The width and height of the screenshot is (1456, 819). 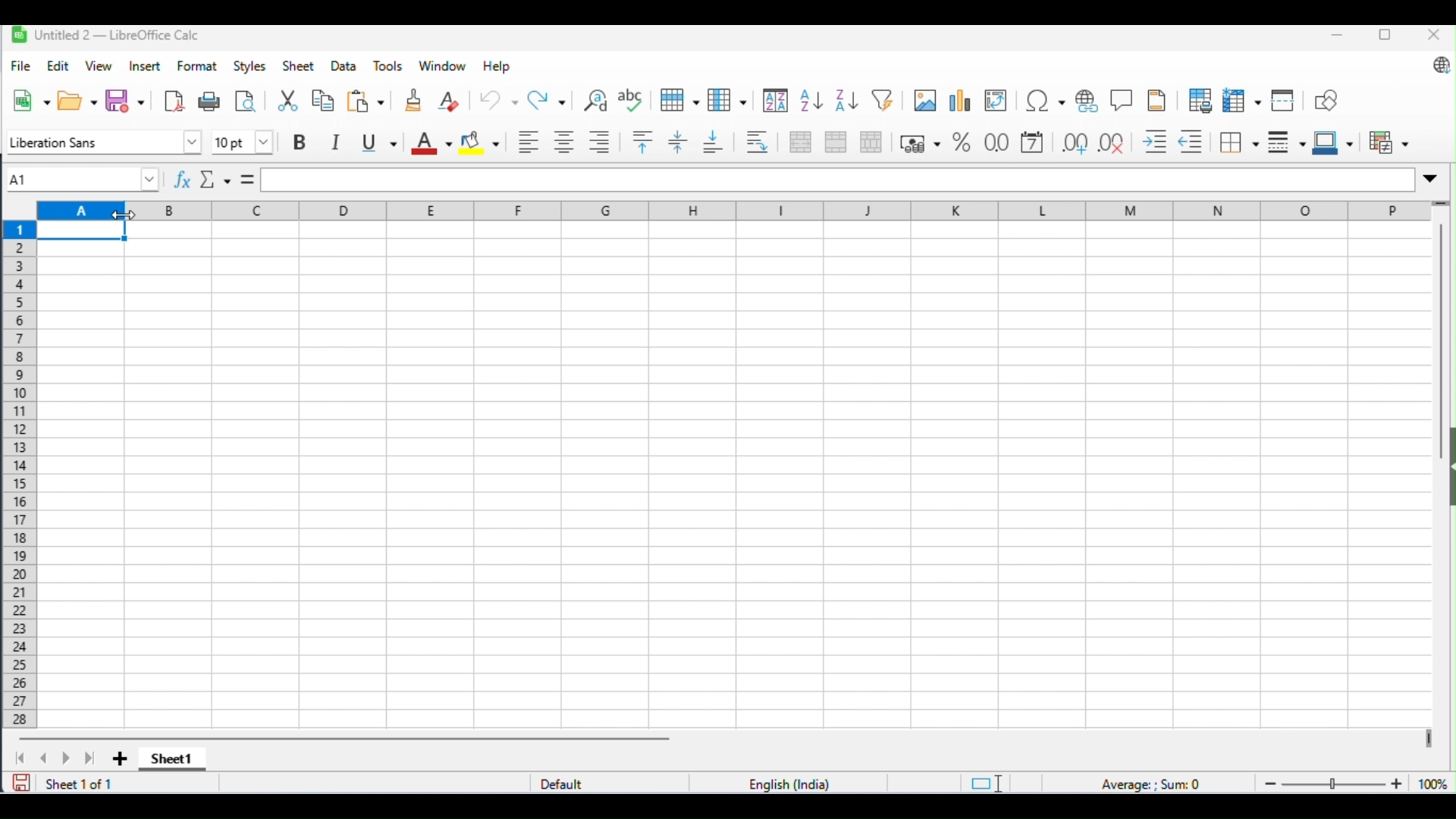 I want to click on Untitled2-LibreOffice Calc, so click(x=107, y=33).